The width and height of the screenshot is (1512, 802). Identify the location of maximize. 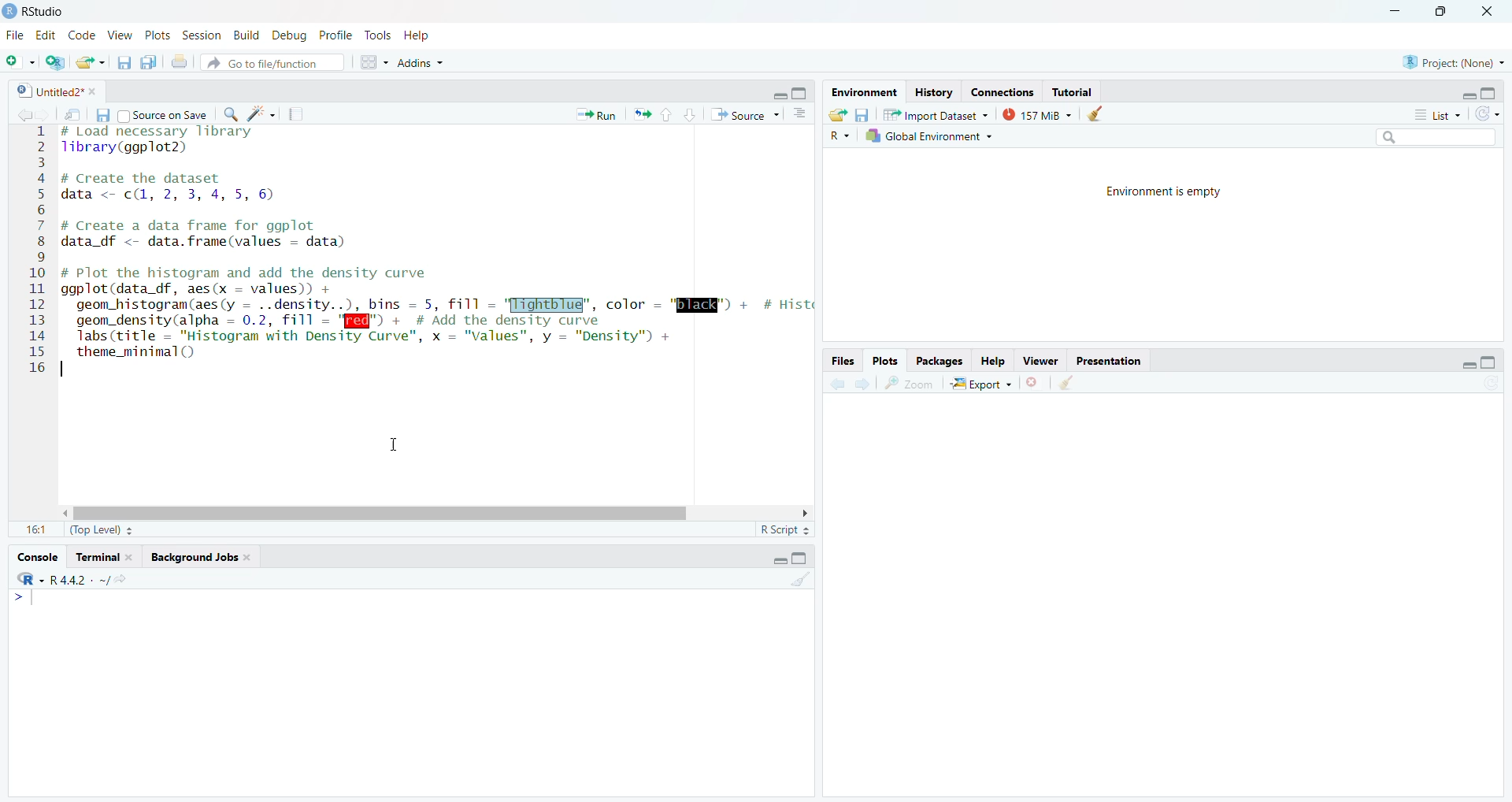
(1489, 363).